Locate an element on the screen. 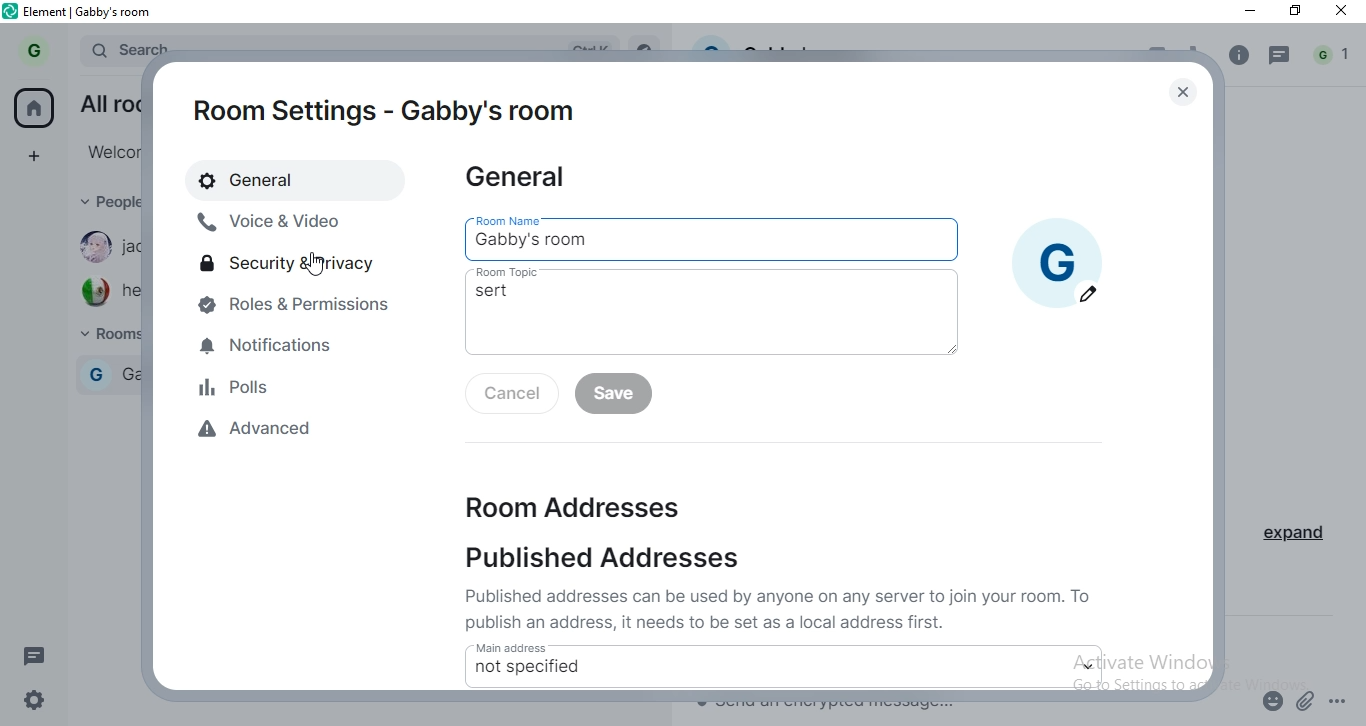 The image size is (1366, 726). add spaces is located at coordinates (33, 154).